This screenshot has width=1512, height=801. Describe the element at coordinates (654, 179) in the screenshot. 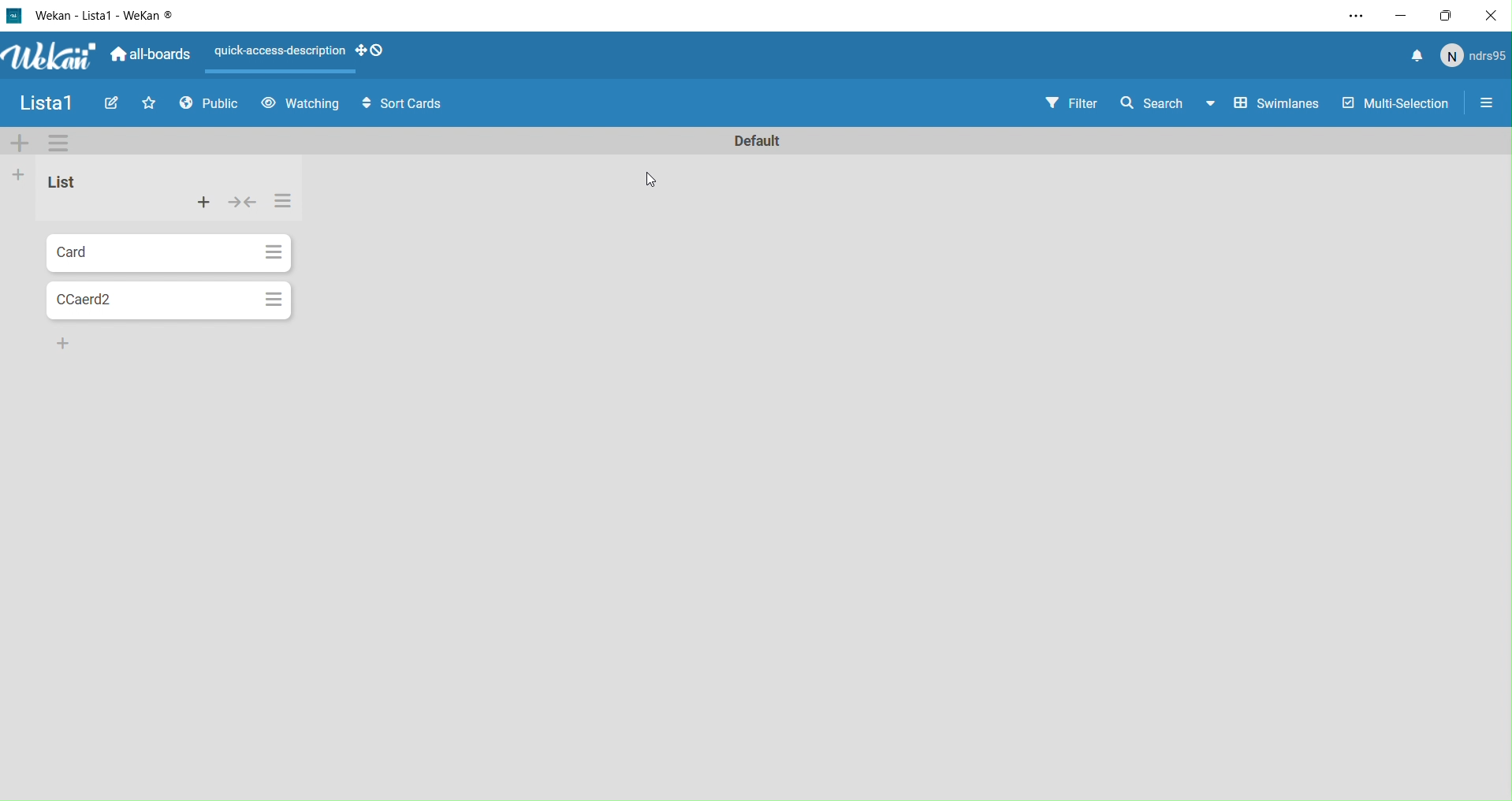

I see `cursor` at that location.